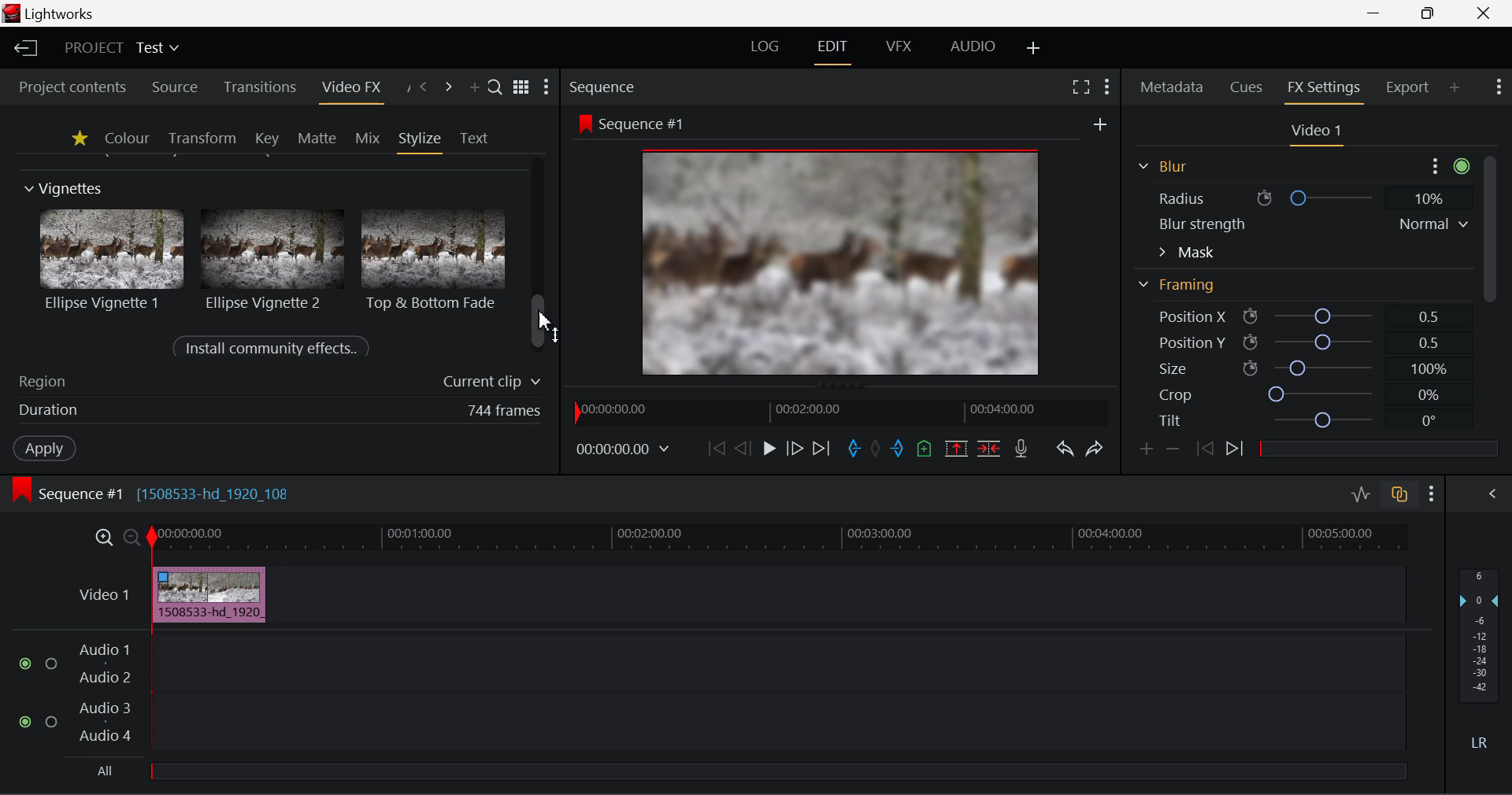  I want to click on Last keyframe, so click(1206, 451).